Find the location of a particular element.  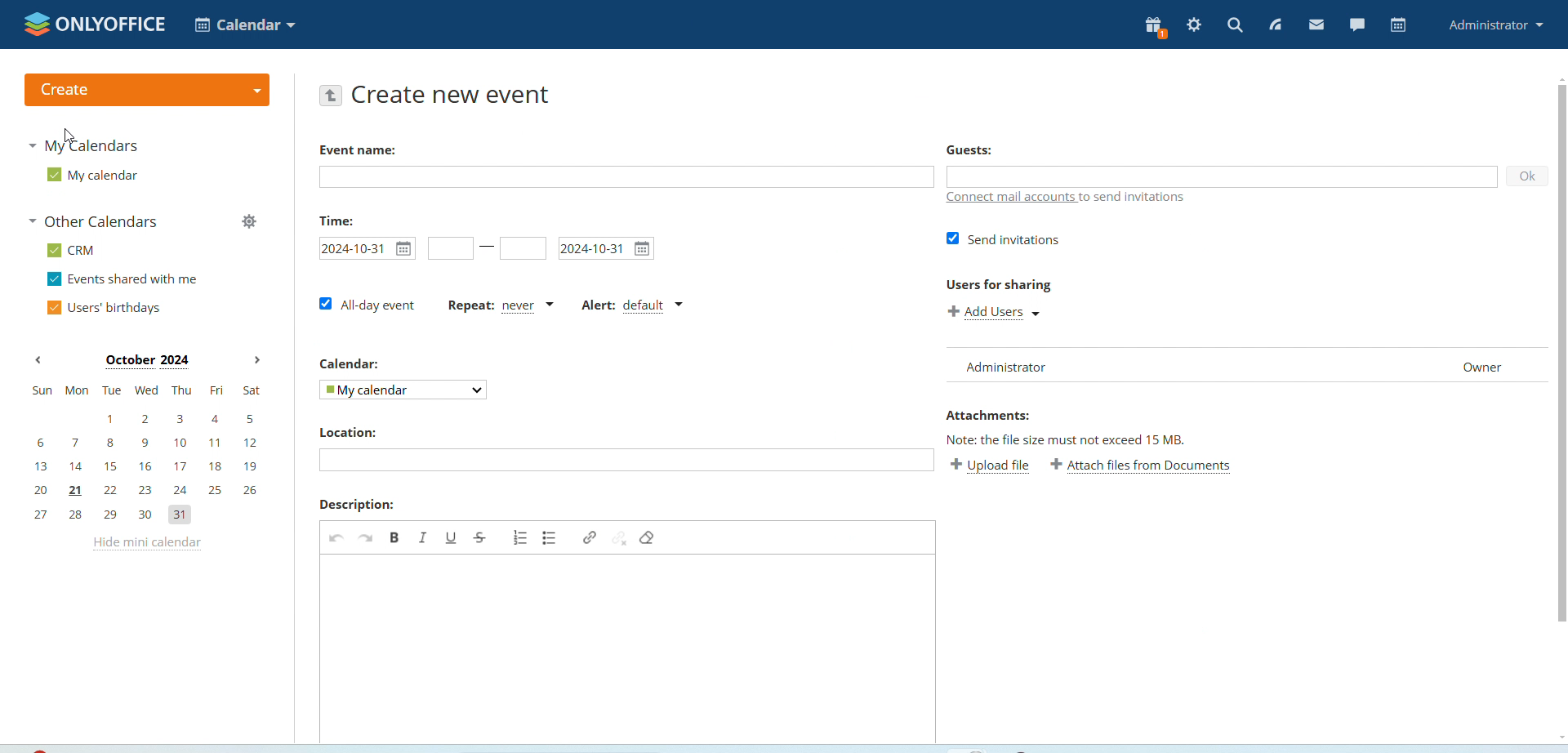

my calendar is located at coordinates (97, 174).